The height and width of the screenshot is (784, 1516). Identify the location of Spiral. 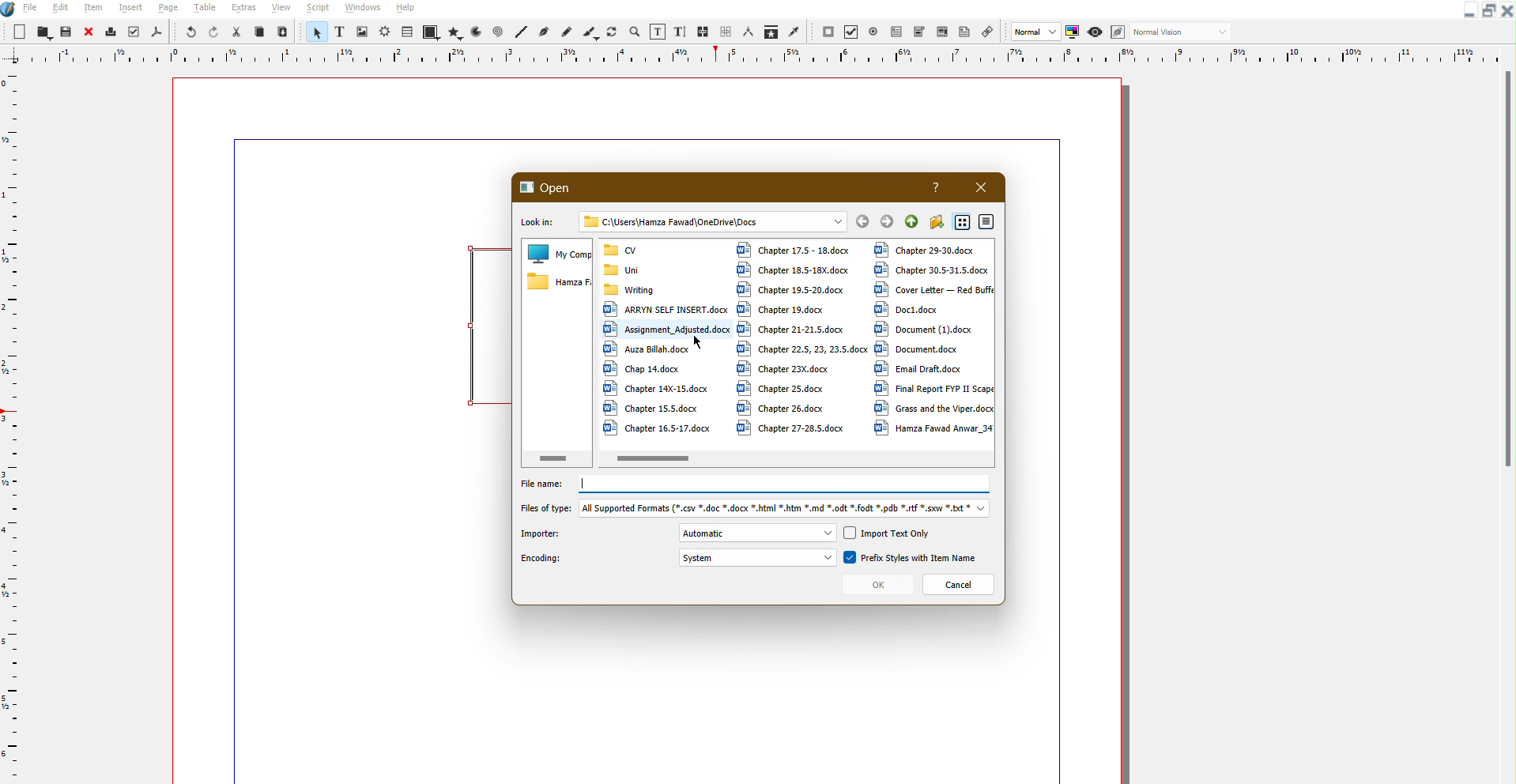
(498, 32).